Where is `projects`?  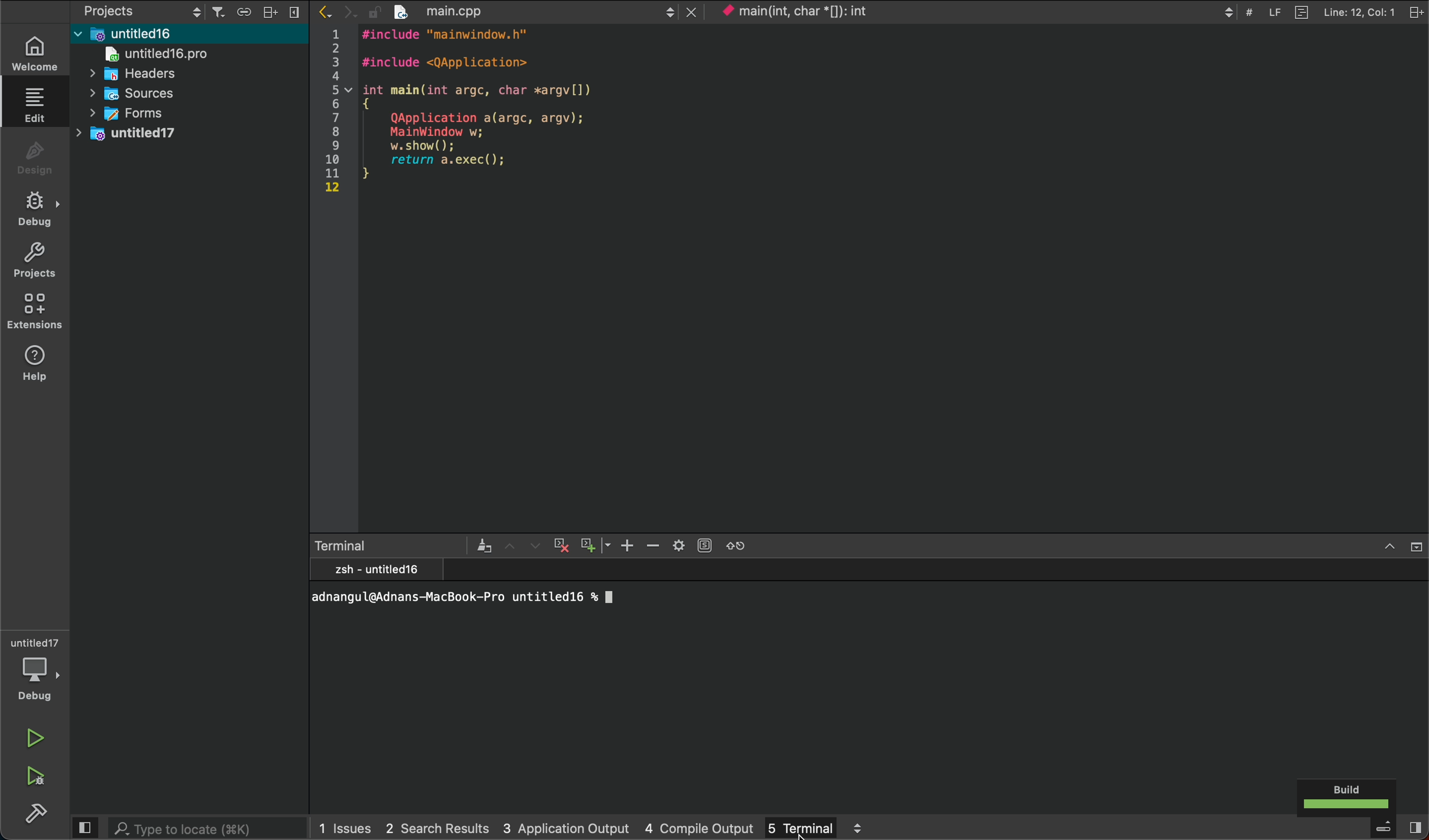
projects is located at coordinates (129, 10).